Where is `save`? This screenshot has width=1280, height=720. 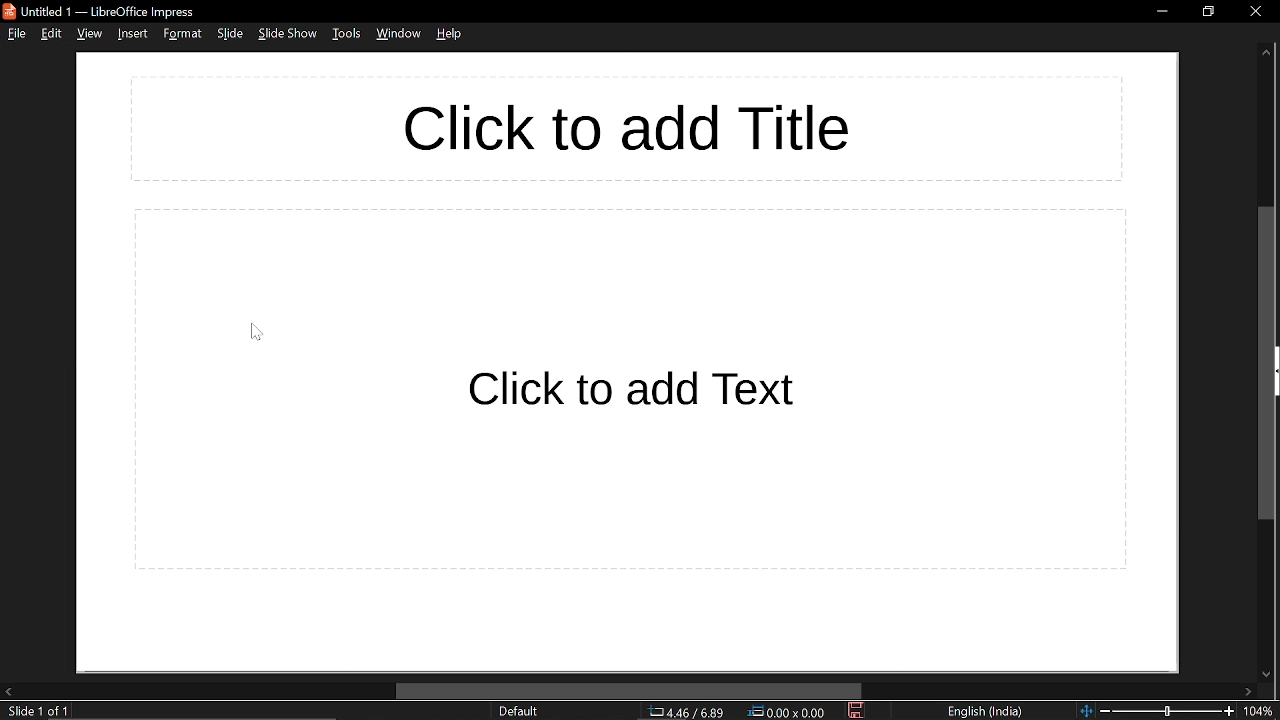 save is located at coordinates (857, 710).